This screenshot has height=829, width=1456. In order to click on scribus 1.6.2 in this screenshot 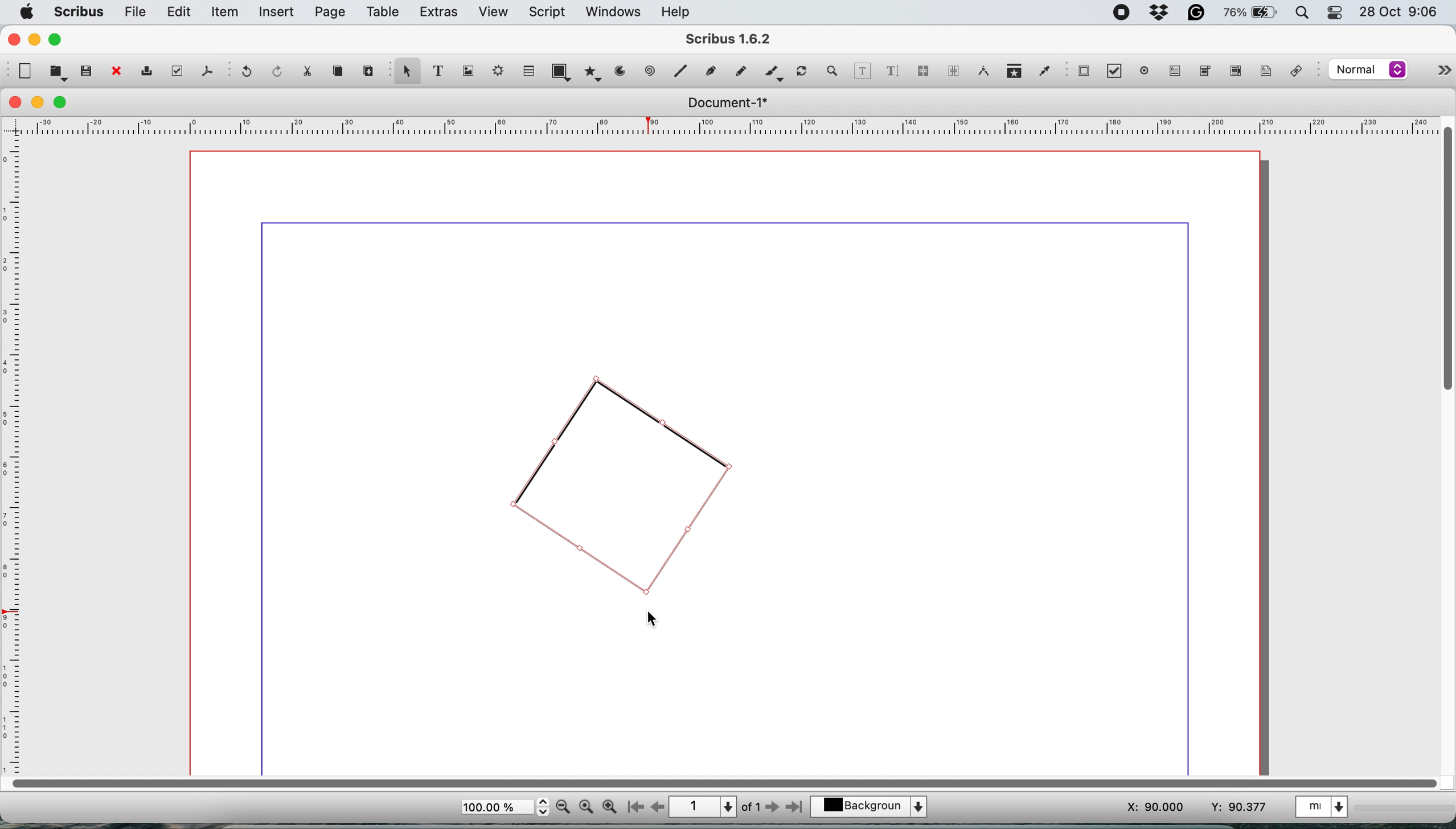, I will do `click(740, 39)`.